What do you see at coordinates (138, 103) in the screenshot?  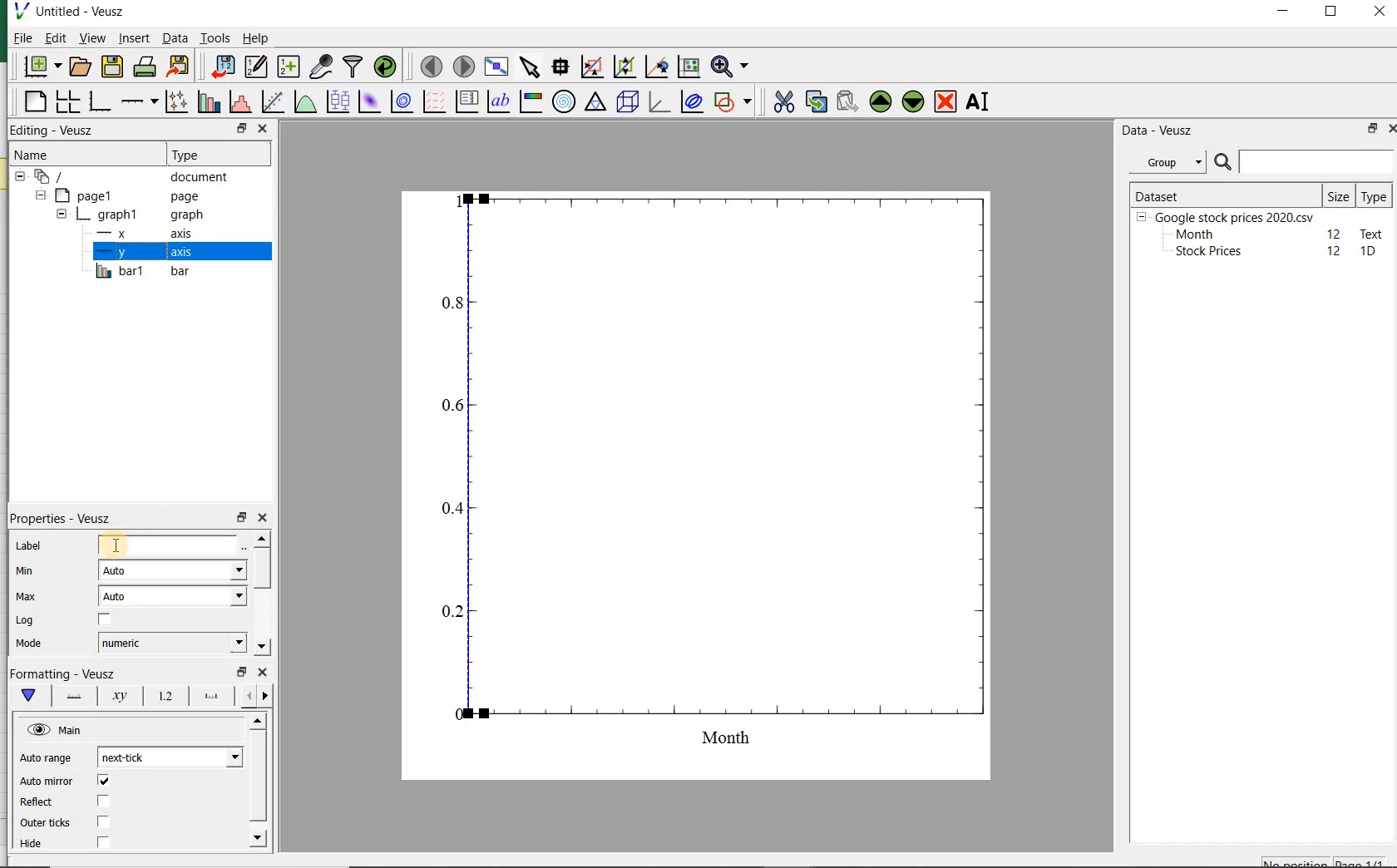 I see `add an axis to the plot` at bounding box center [138, 103].